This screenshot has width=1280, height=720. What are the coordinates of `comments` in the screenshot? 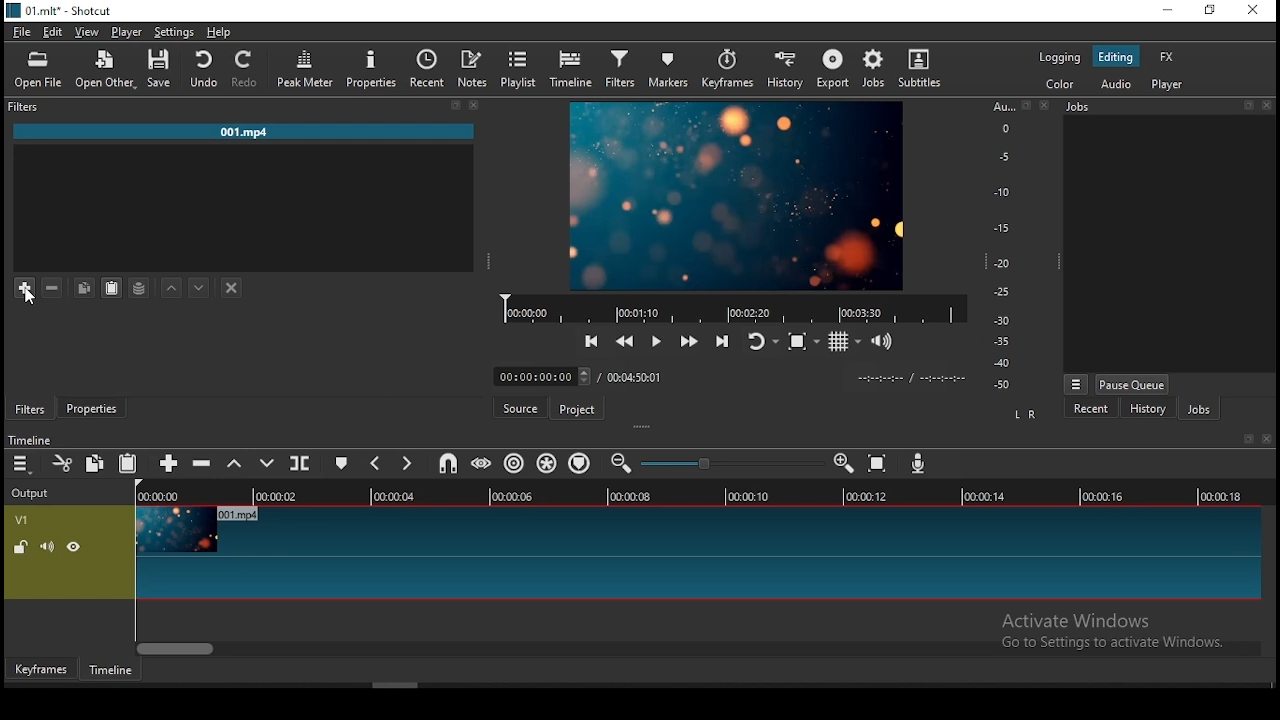 It's located at (243, 199).